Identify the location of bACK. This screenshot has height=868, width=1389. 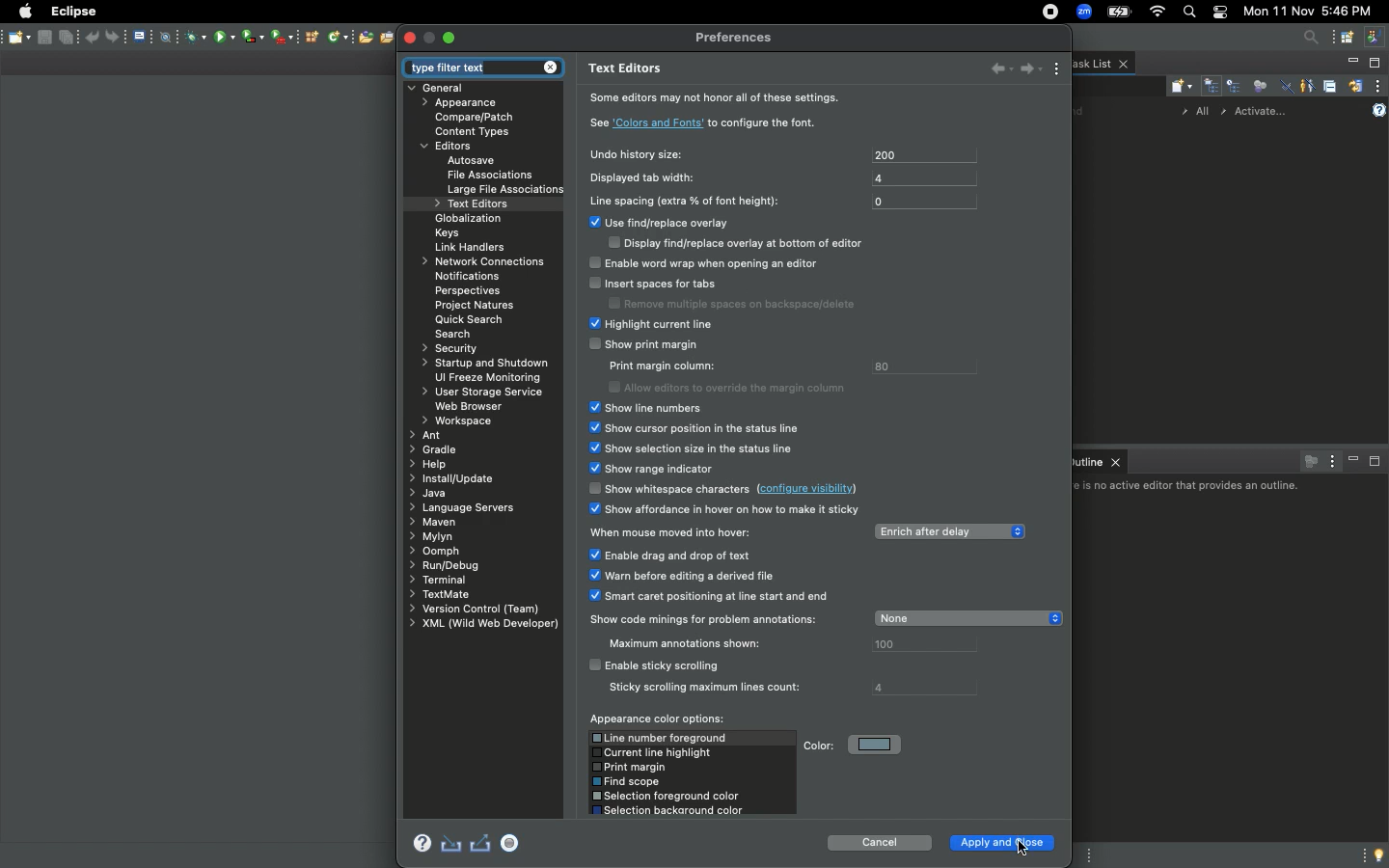
(992, 67).